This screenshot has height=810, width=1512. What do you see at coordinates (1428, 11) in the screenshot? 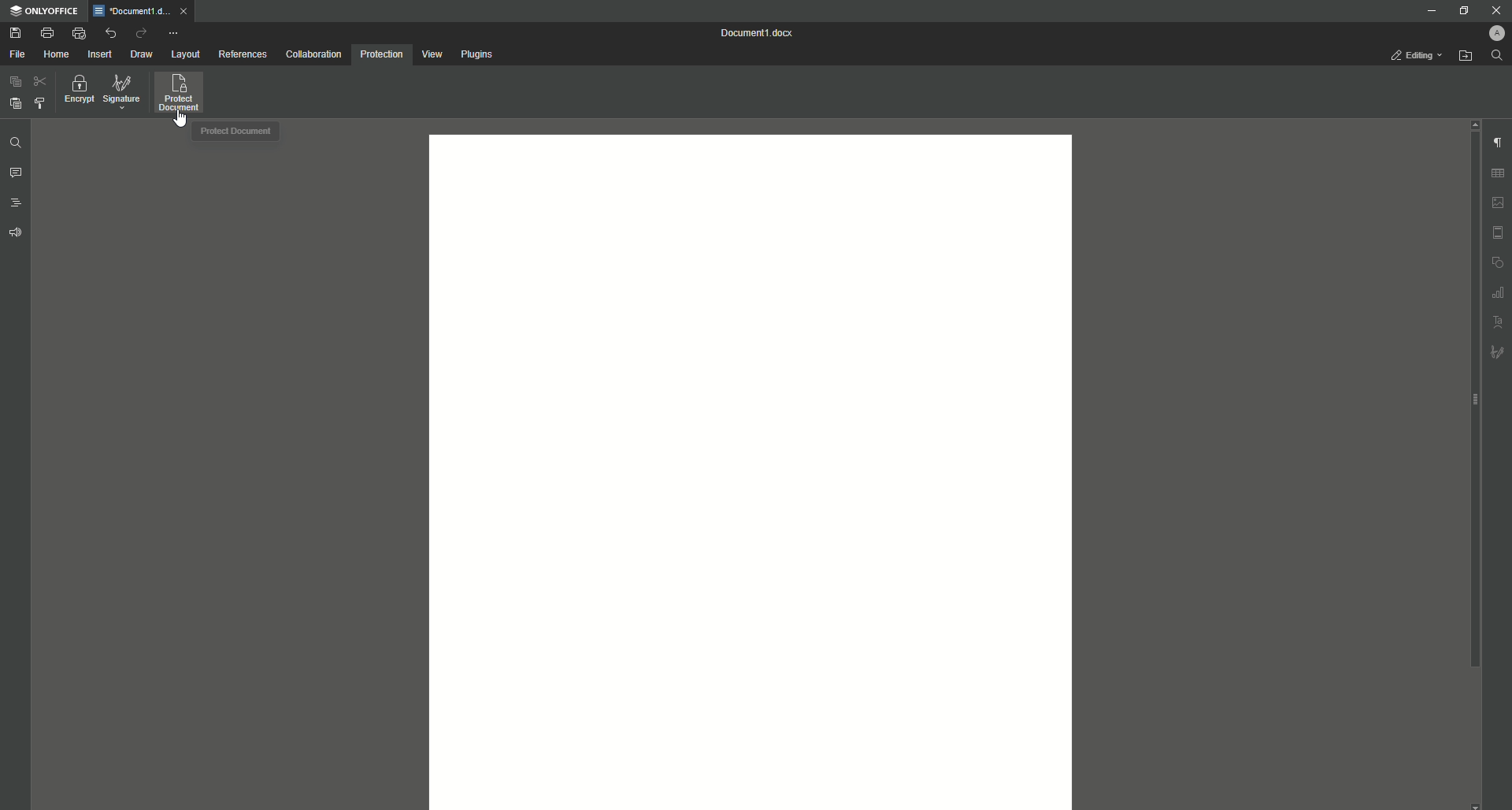
I see `Minimize` at bounding box center [1428, 11].